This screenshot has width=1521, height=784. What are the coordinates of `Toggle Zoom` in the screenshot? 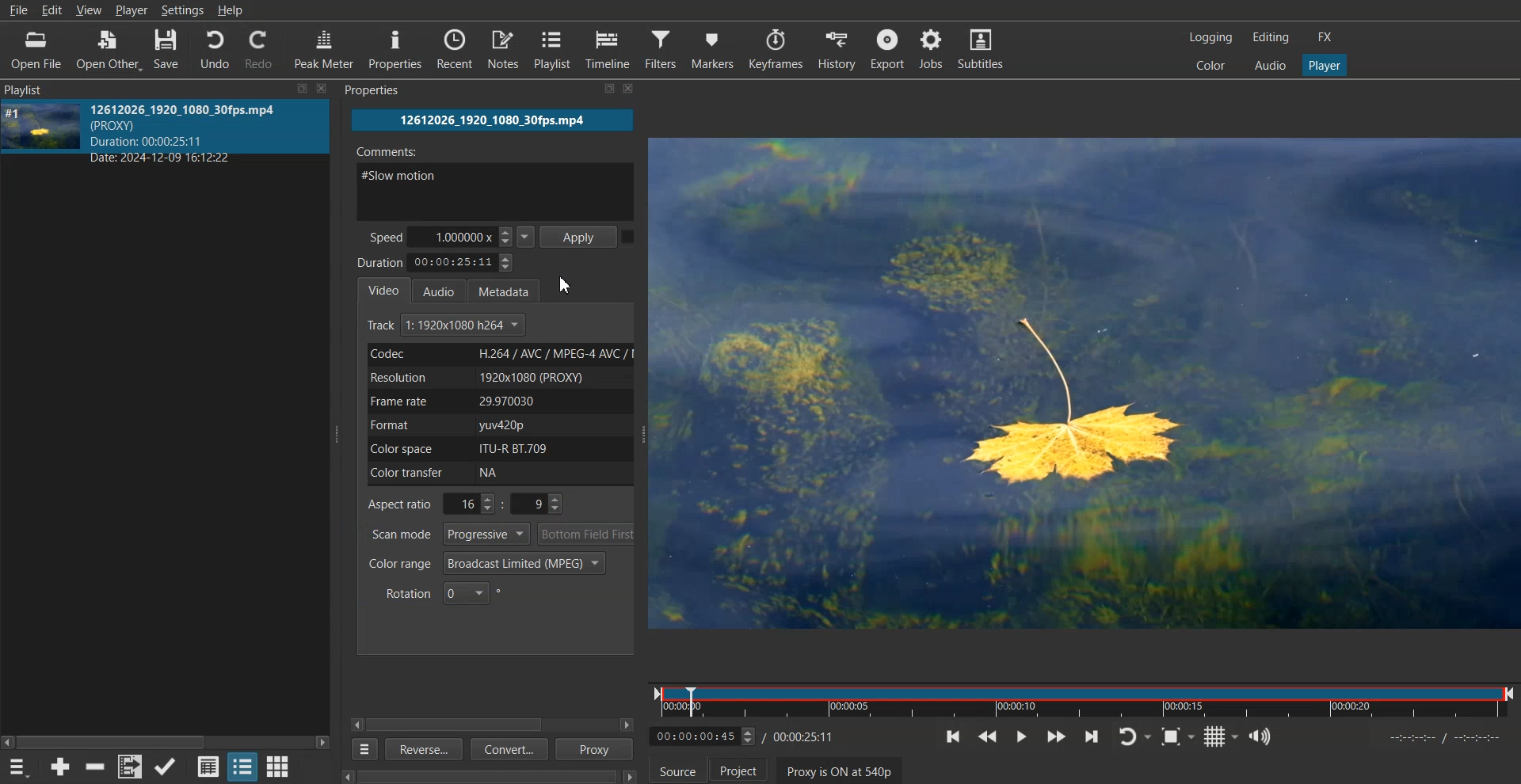 It's located at (1178, 736).